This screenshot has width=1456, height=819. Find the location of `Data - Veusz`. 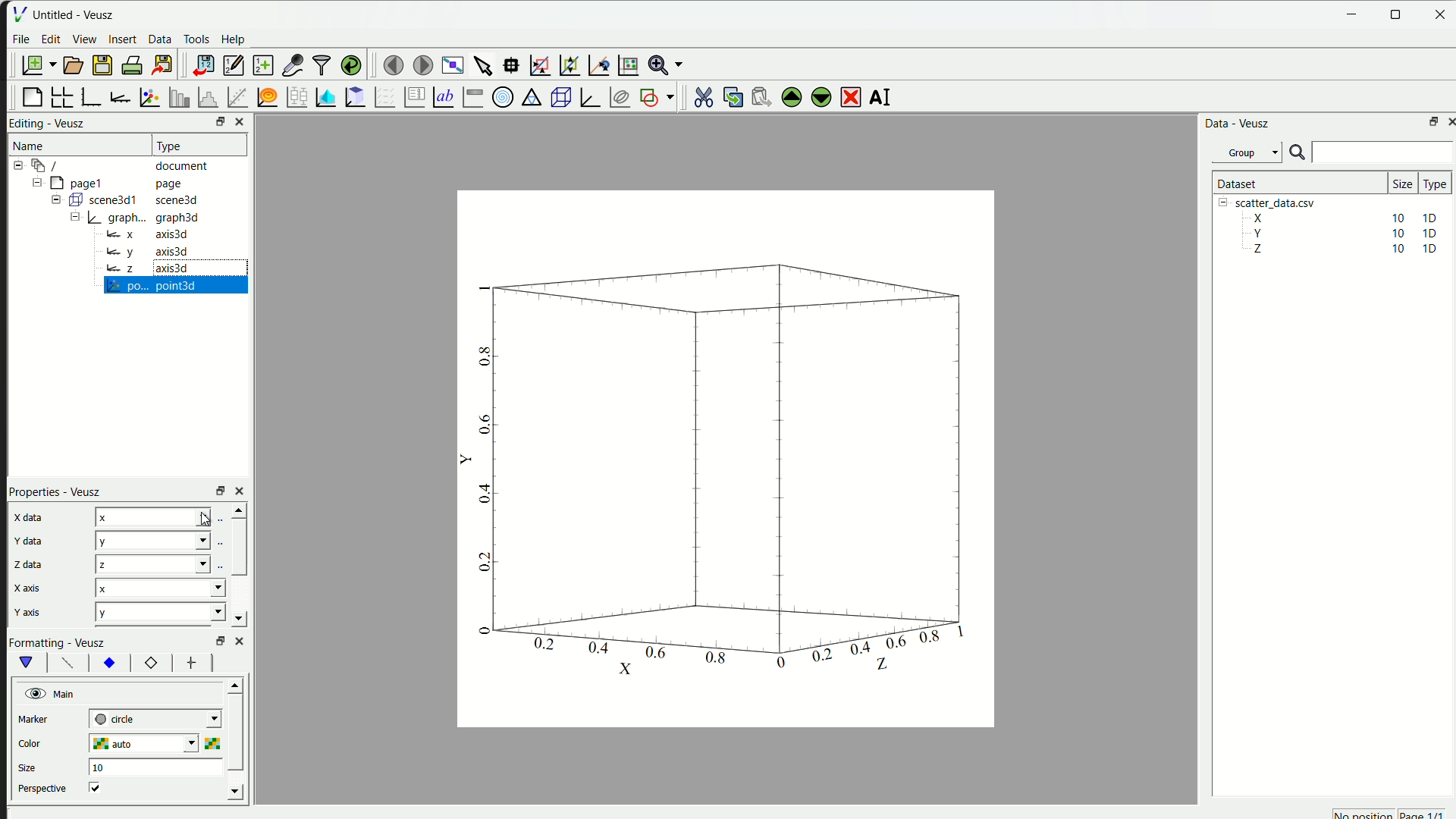

Data - Veusz is located at coordinates (1235, 124).